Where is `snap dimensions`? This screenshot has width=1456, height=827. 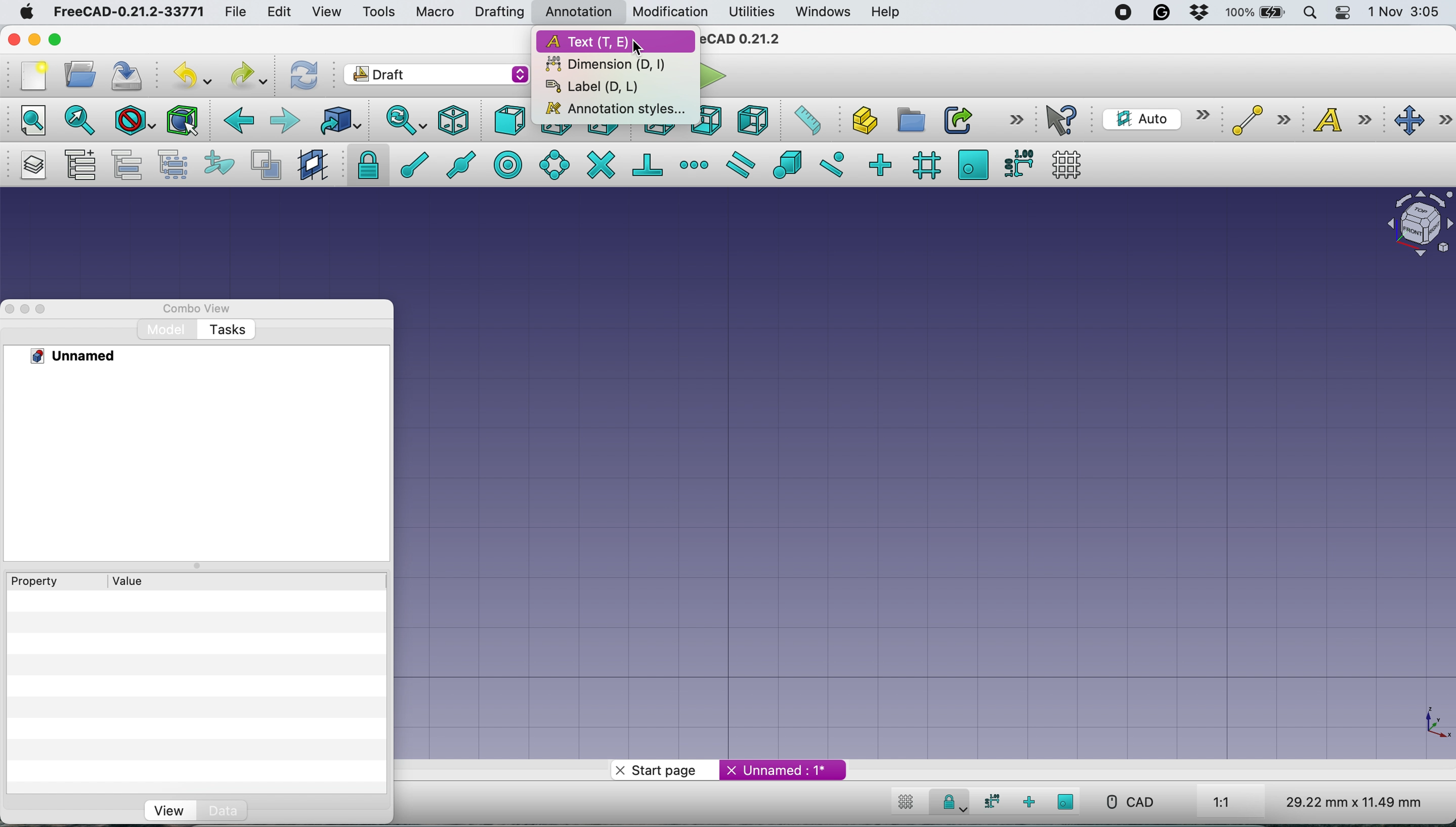 snap dimensions is located at coordinates (1017, 165).